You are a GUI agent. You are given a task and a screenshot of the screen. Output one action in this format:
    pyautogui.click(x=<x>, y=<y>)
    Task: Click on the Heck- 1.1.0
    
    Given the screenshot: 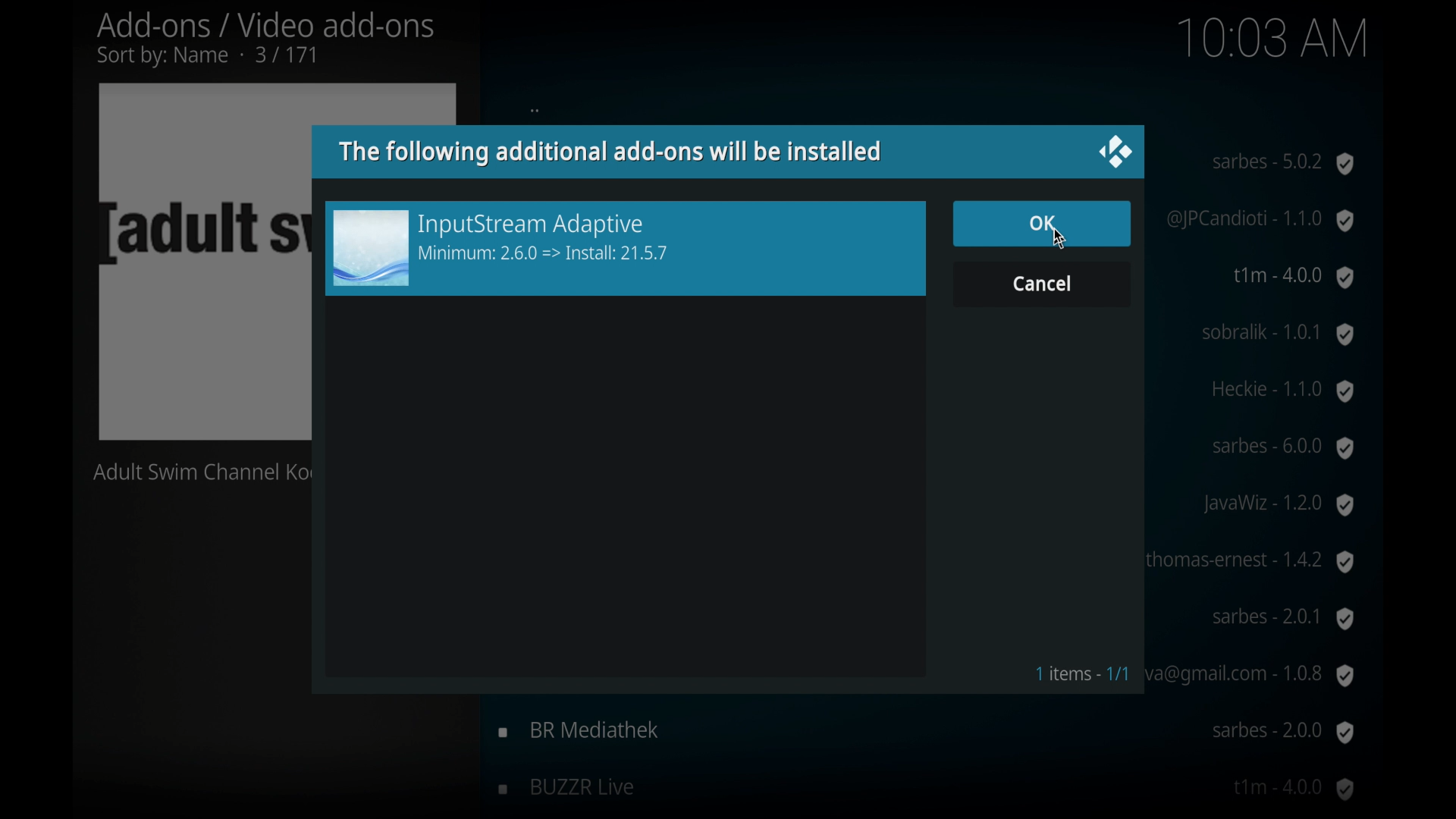 What is the action you would take?
    pyautogui.click(x=1279, y=391)
    